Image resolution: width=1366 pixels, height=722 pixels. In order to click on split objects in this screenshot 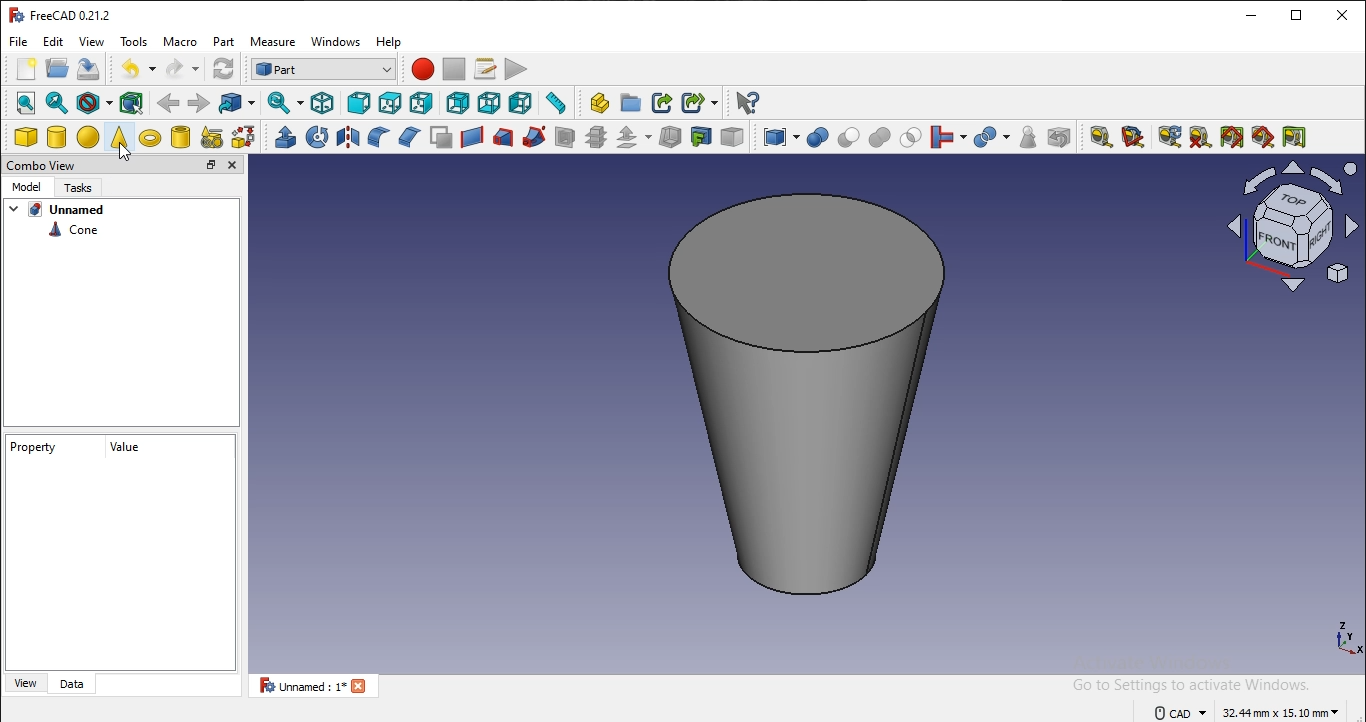, I will do `click(987, 137)`.